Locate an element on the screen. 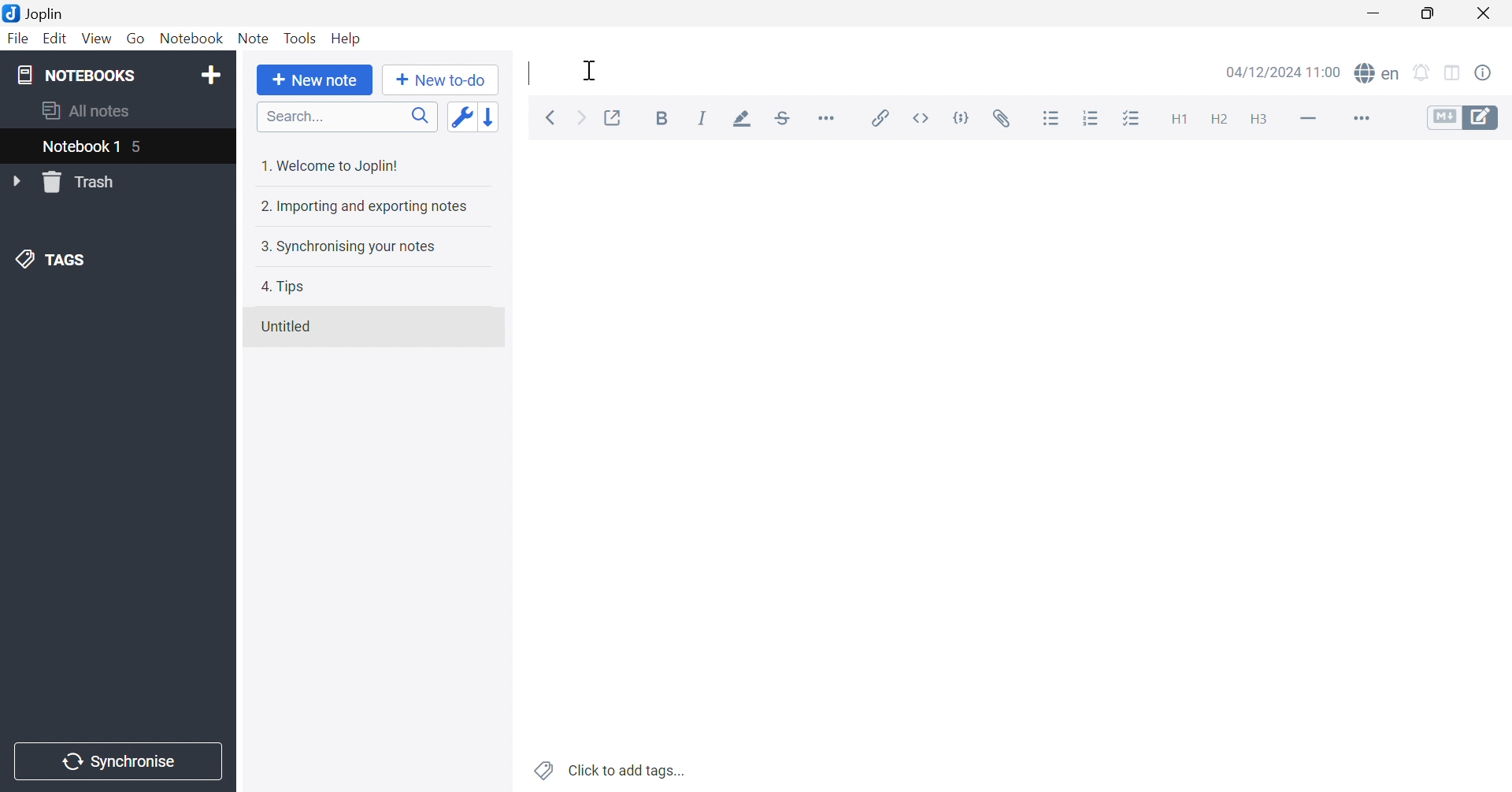 The image size is (1512, 792). Heading 2 is located at coordinates (1221, 121).